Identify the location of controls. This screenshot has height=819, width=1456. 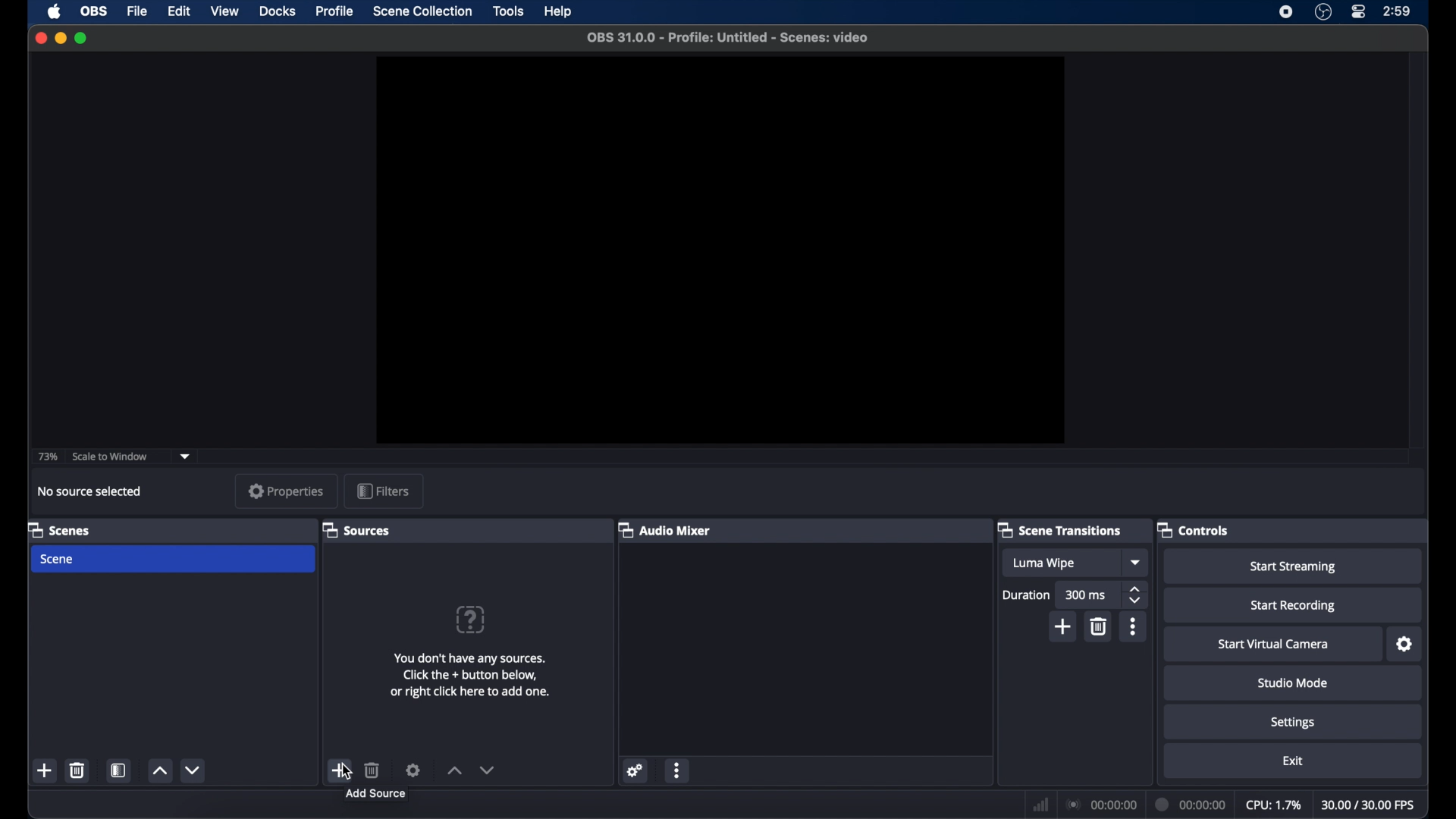
(1192, 529).